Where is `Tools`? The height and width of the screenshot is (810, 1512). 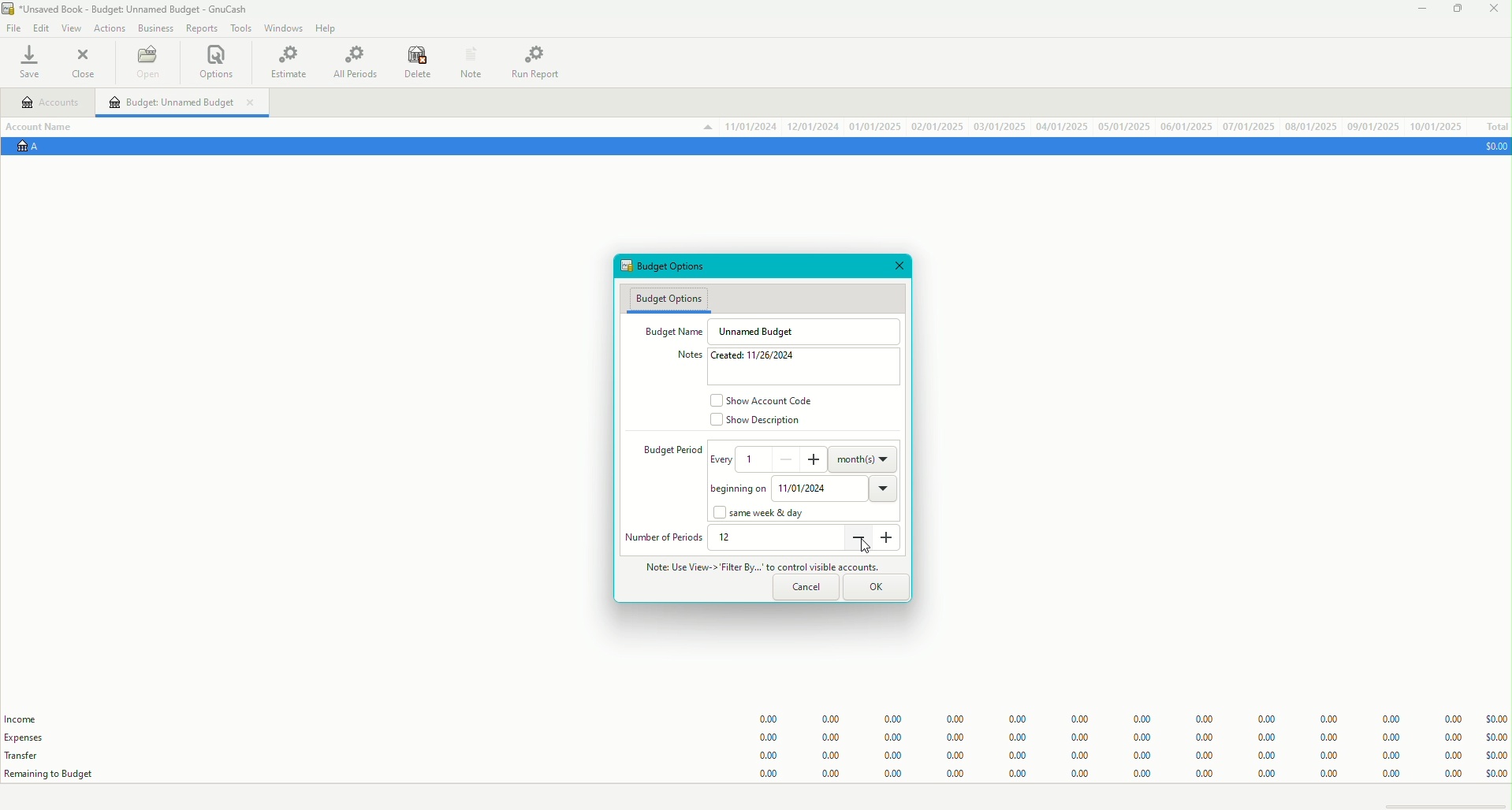 Tools is located at coordinates (237, 28).